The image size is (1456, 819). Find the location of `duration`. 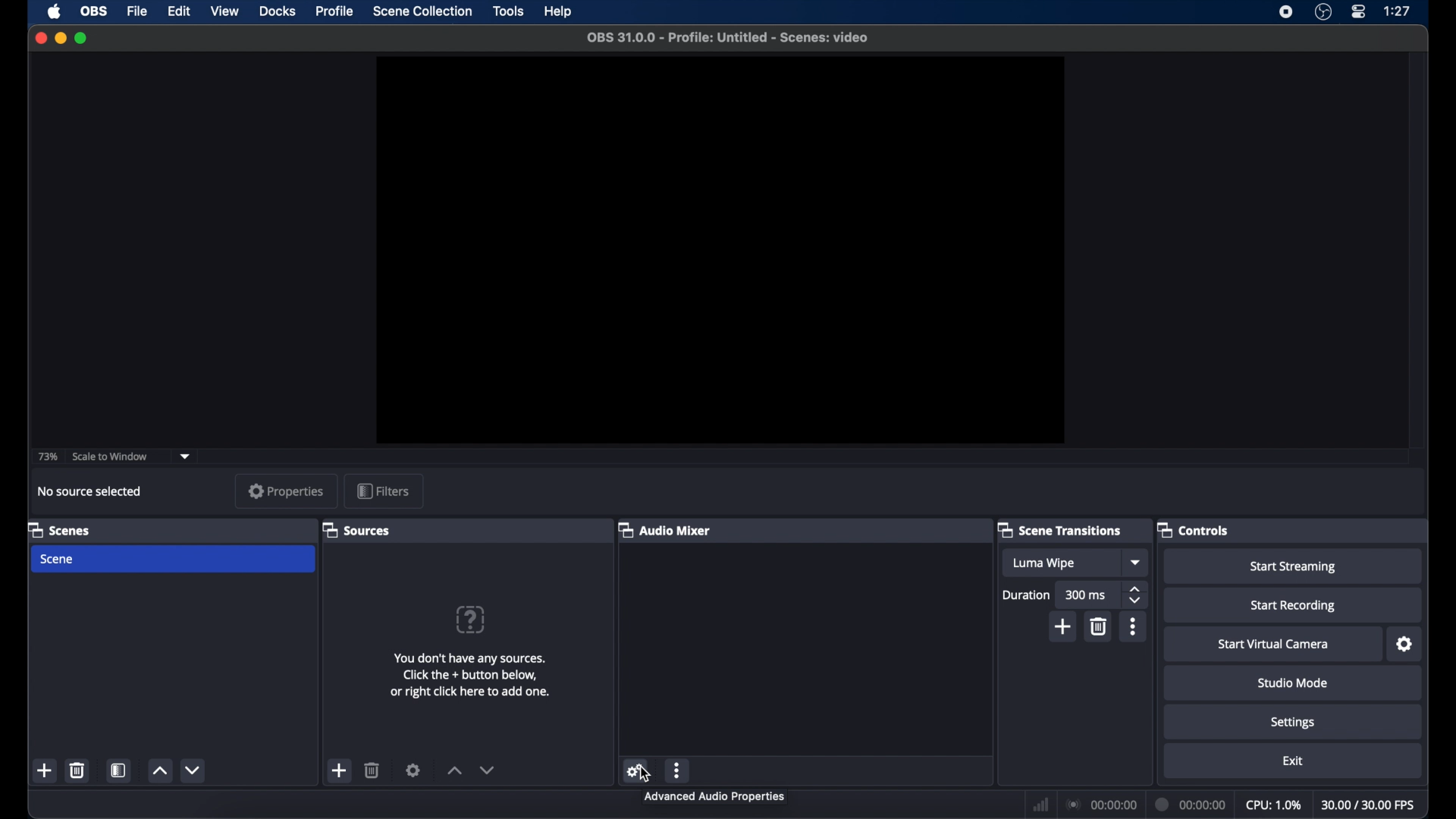

duration is located at coordinates (1027, 595).